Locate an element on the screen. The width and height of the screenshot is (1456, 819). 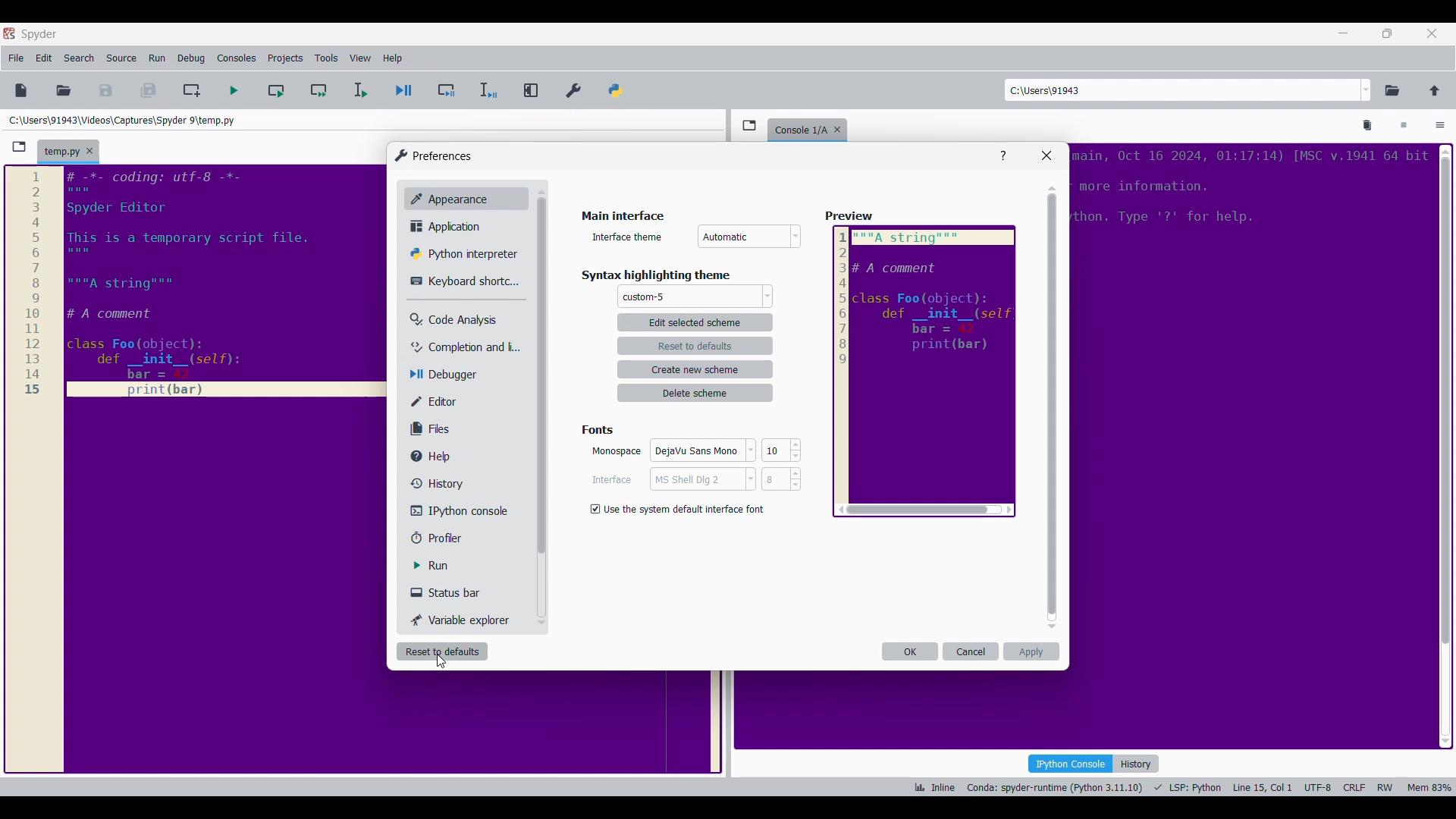
Consoles menu is located at coordinates (237, 58).